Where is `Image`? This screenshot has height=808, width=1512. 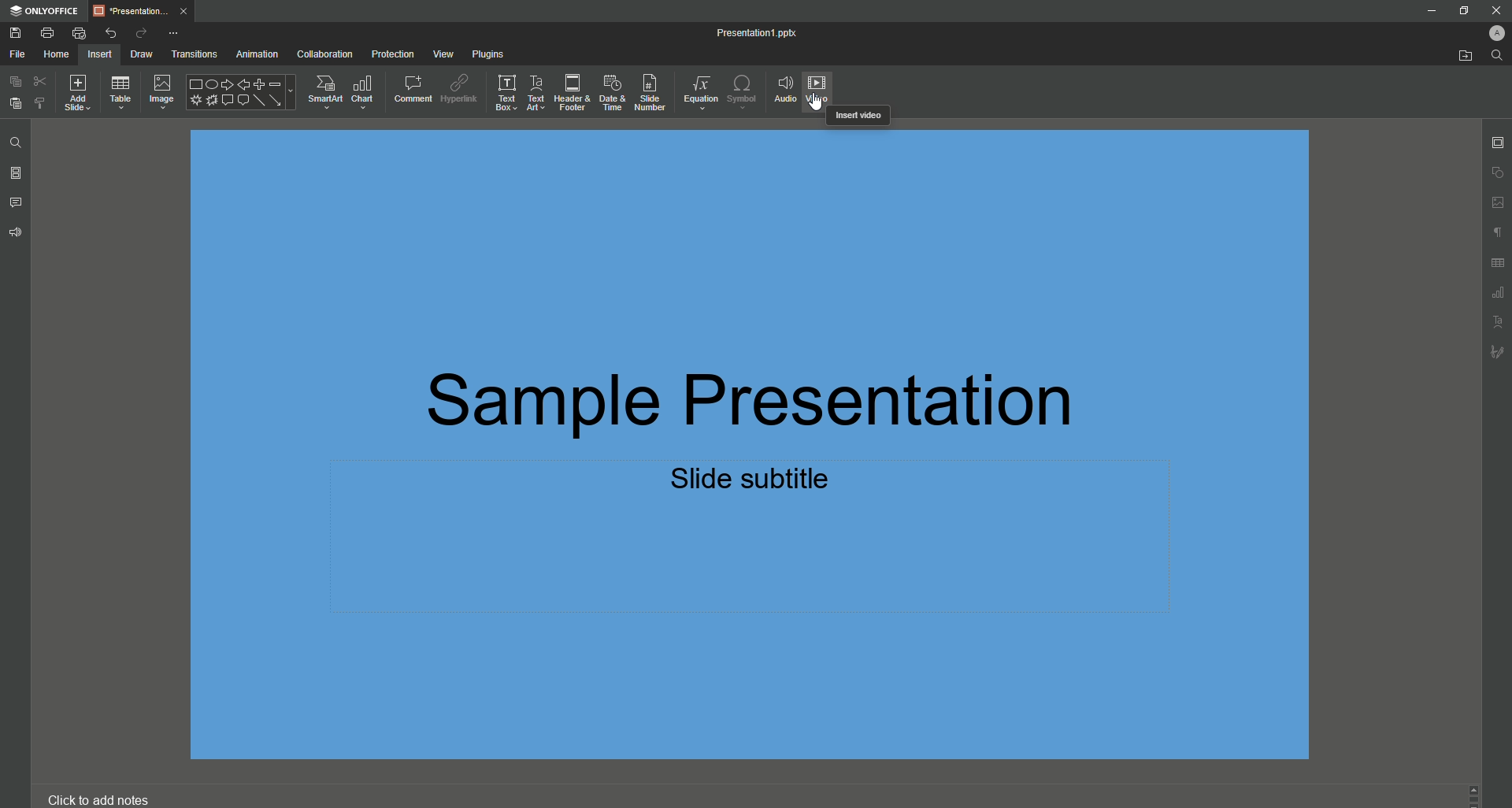 Image is located at coordinates (161, 92).